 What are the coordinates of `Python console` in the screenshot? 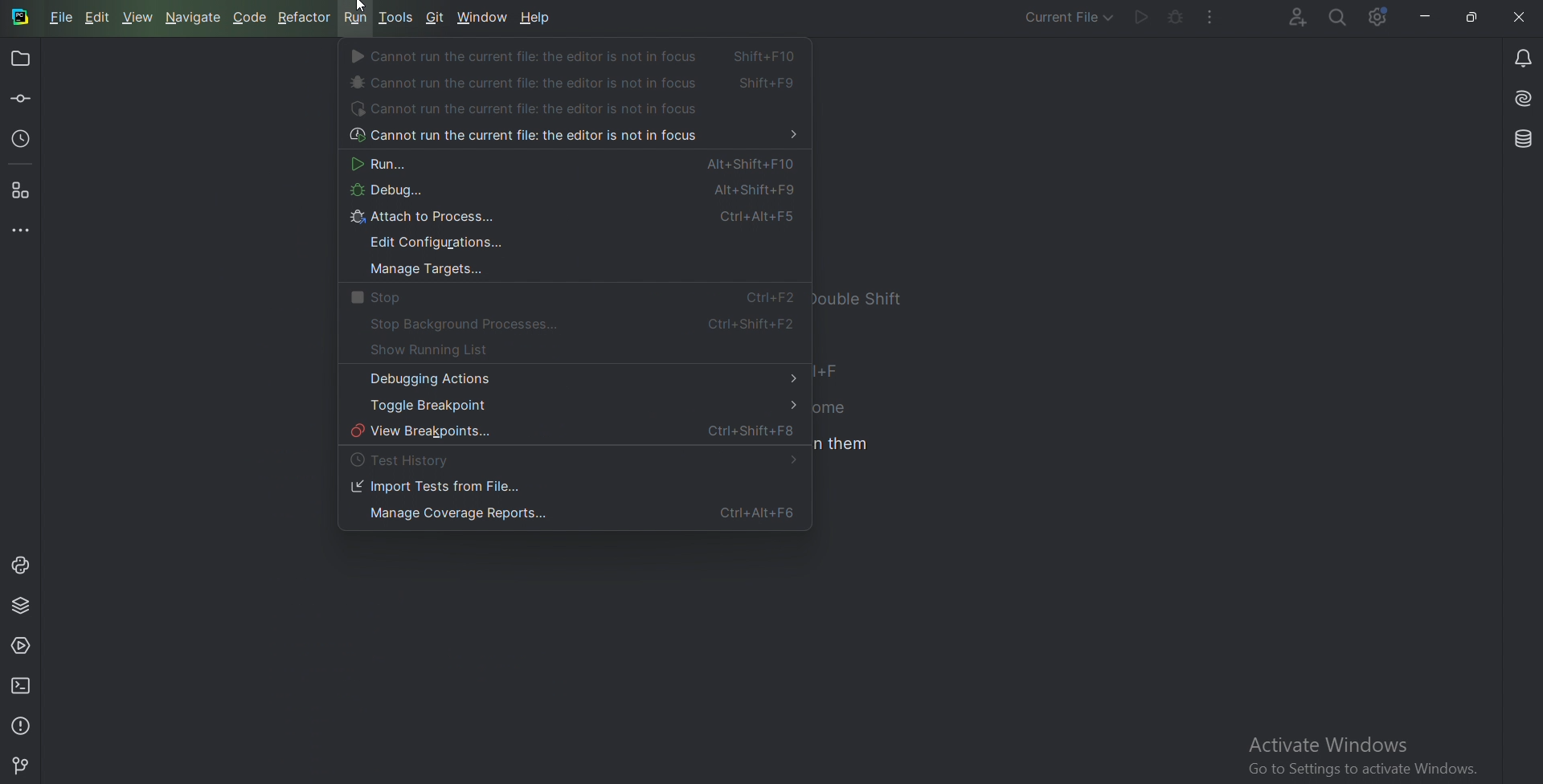 It's located at (20, 566).